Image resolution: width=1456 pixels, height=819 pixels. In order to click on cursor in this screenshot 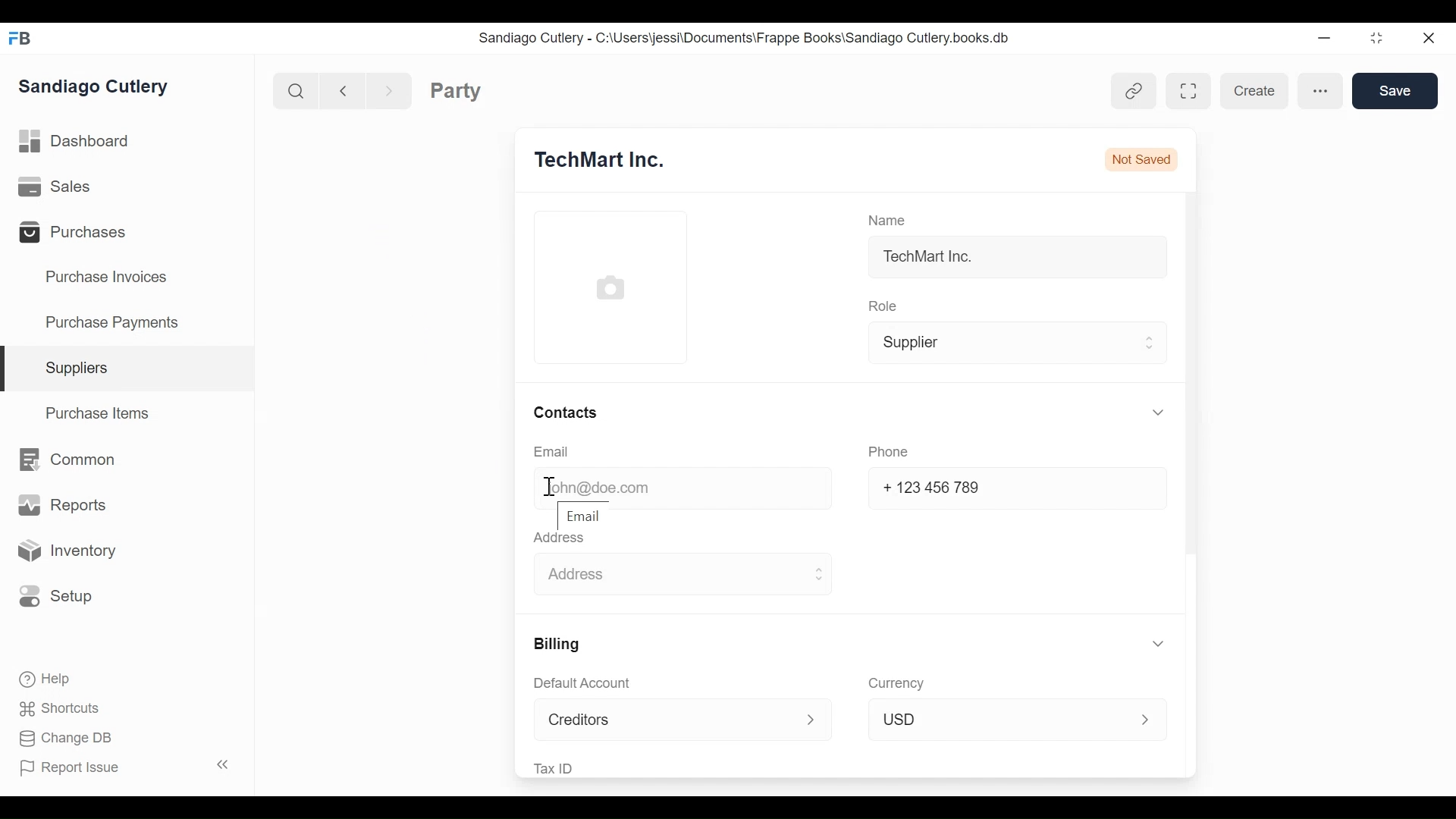, I will do `click(553, 485)`.